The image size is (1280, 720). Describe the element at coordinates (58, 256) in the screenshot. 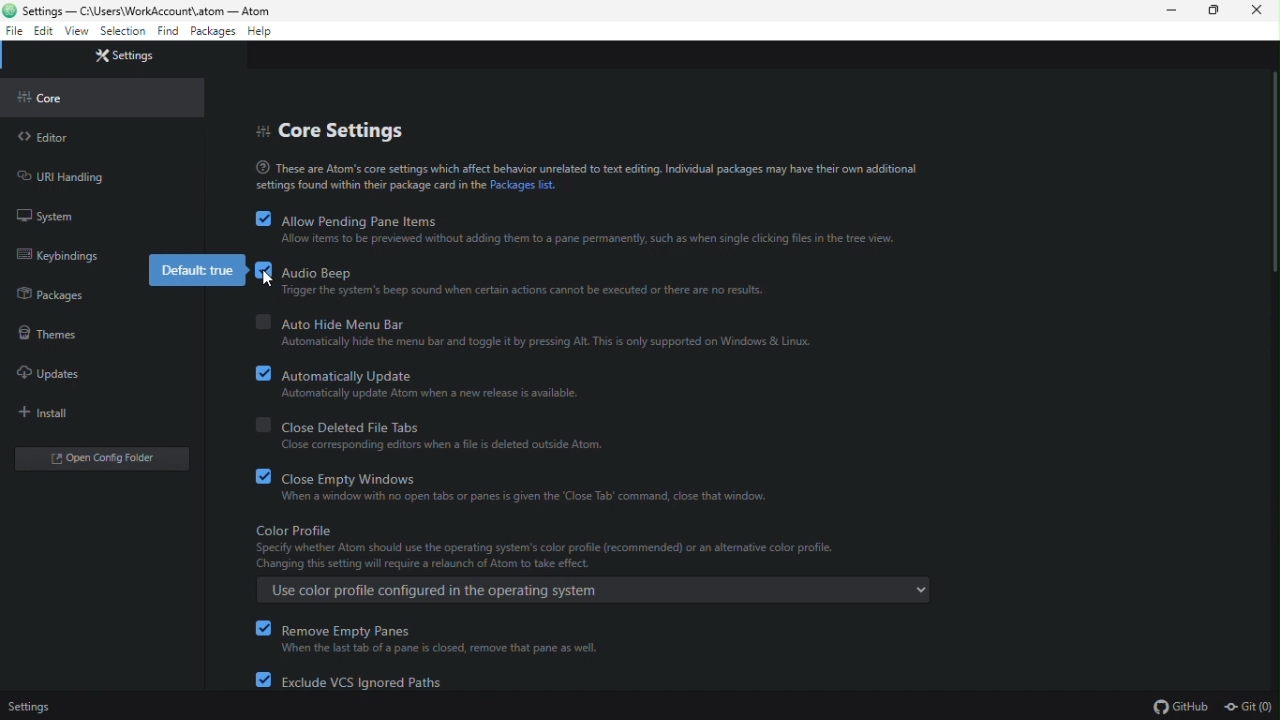

I see `keybinding` at that location.